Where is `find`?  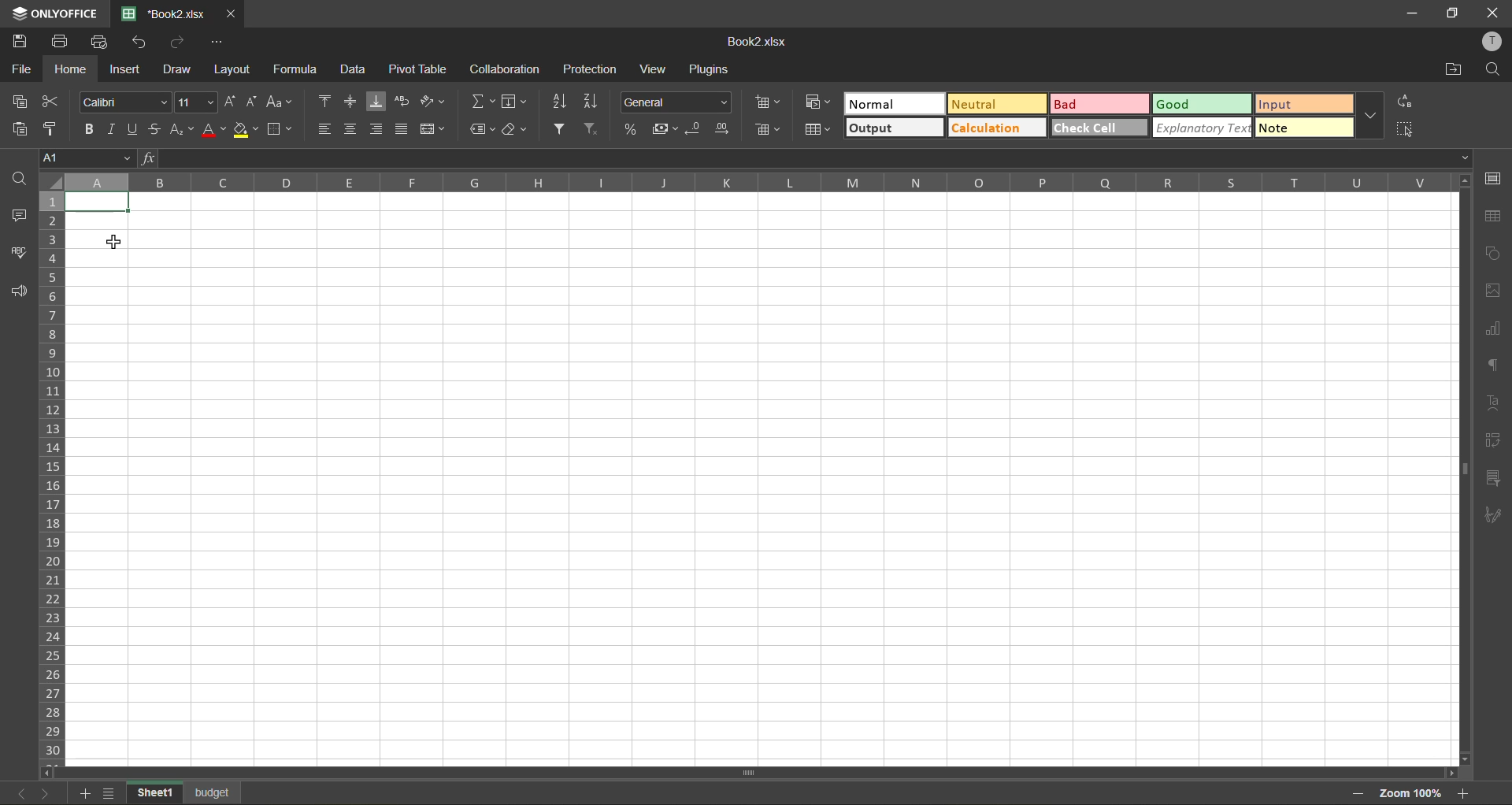 find is located at coordinates (1492, 70).